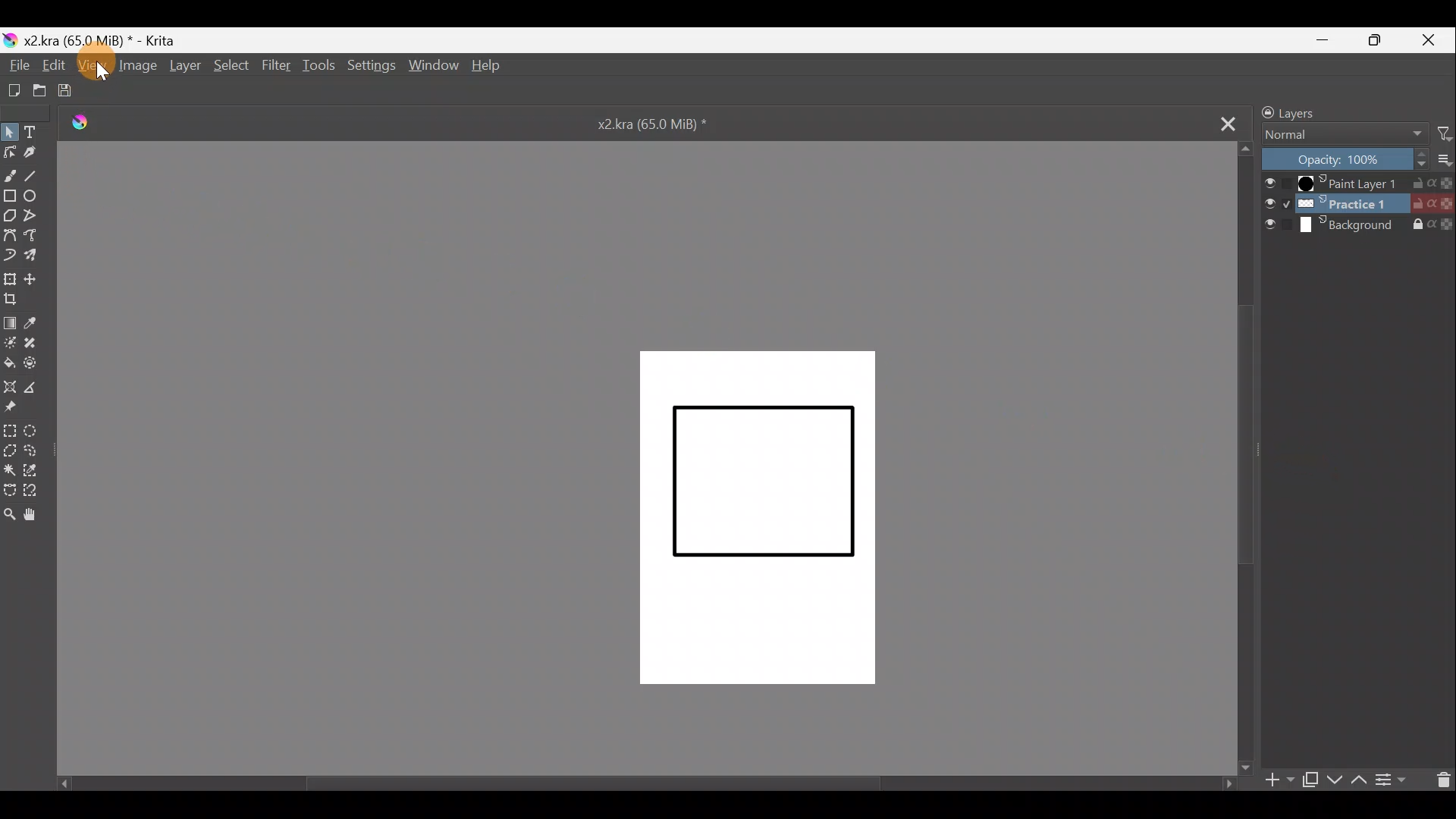 This screenshot has height=819, width=1456. Describe the element at coordinates (20, 409) in the screenshot. I see `Reference images tool` at that location.